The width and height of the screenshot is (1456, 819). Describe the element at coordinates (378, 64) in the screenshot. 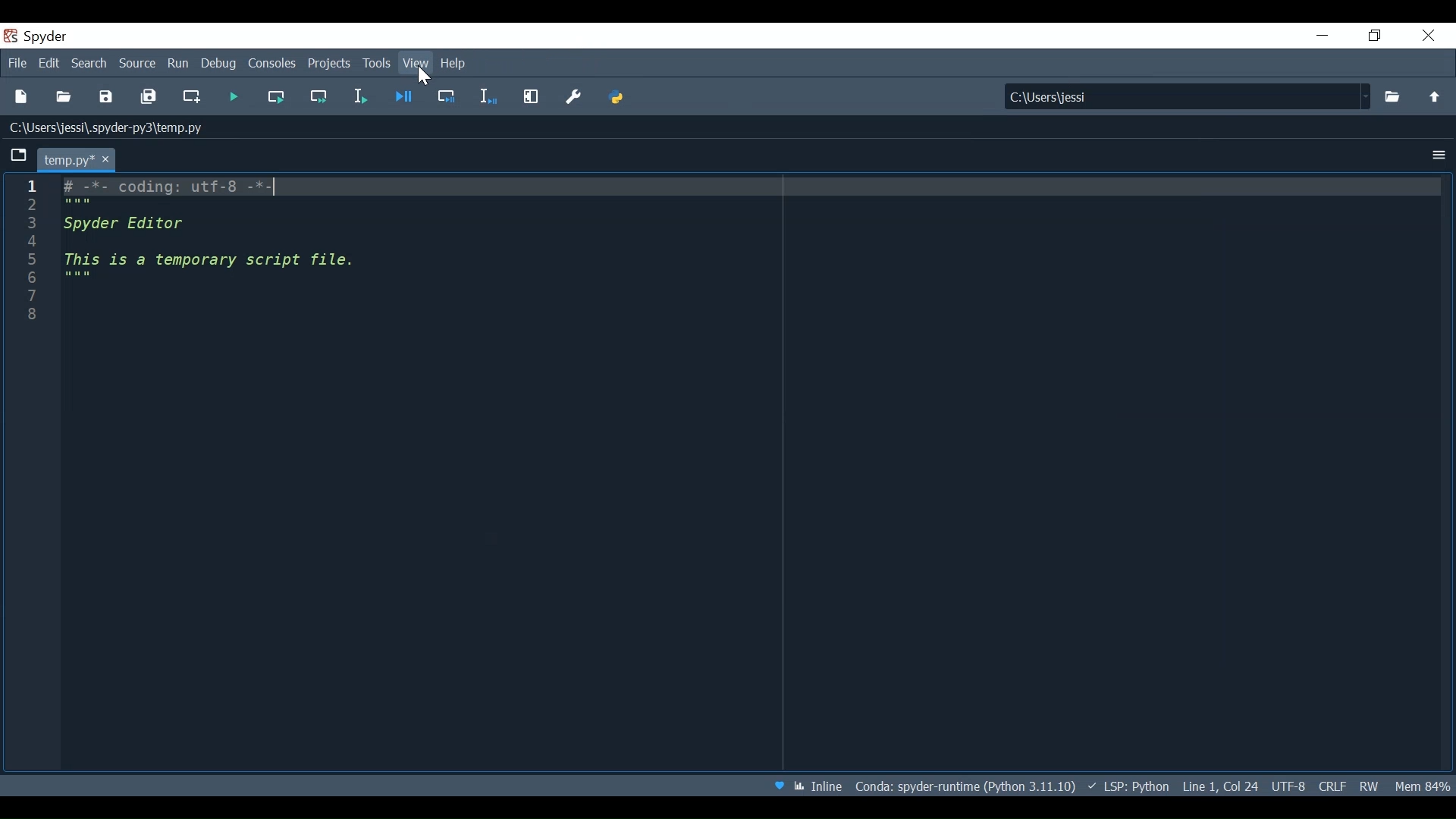

I see `Tools` at that location.